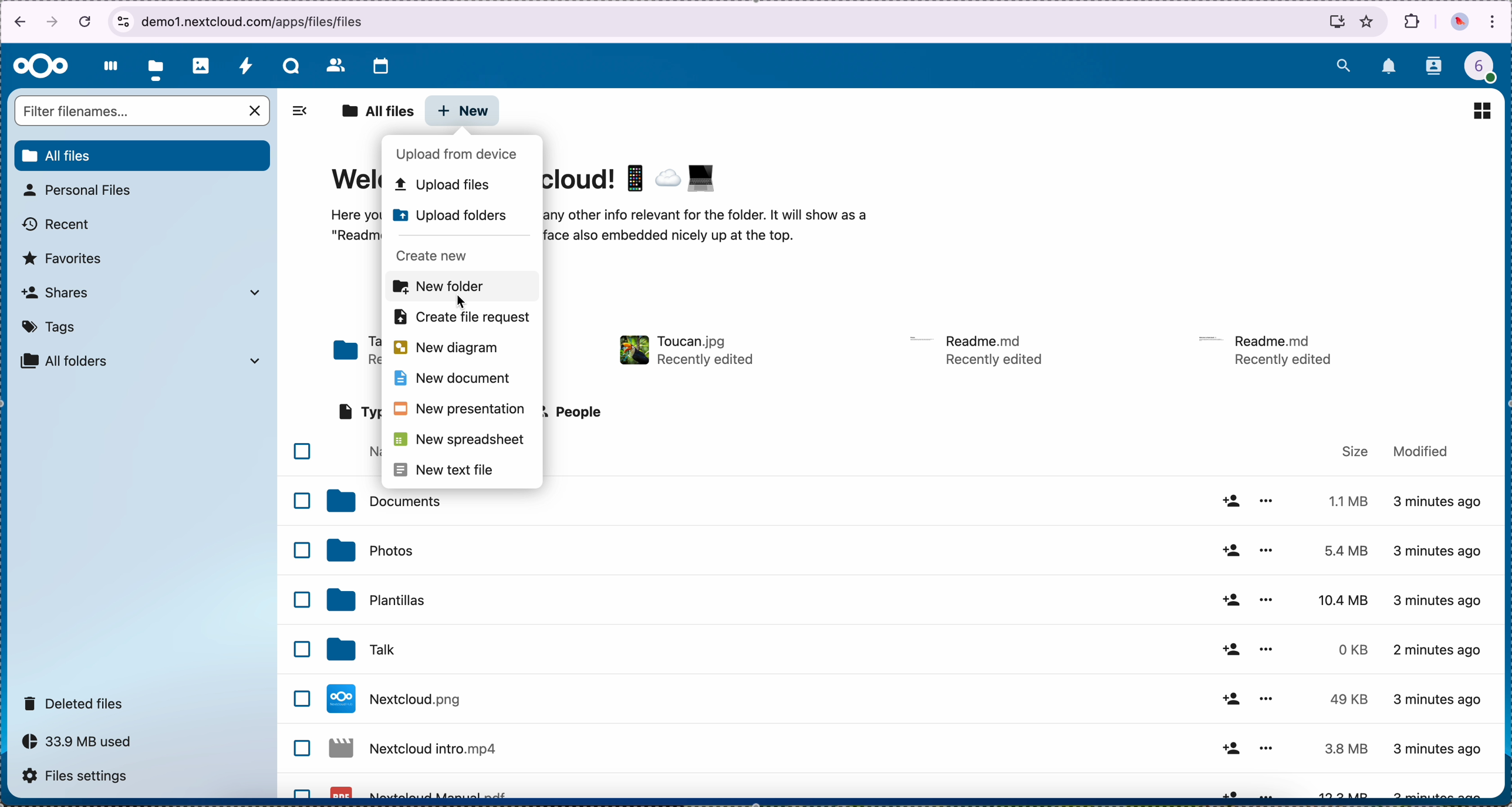 The image size is (1512, 807). What do you see at coordinates (1355, 650) in the screenshot?
I see `0 KB` at bounding box center [1355, 650].